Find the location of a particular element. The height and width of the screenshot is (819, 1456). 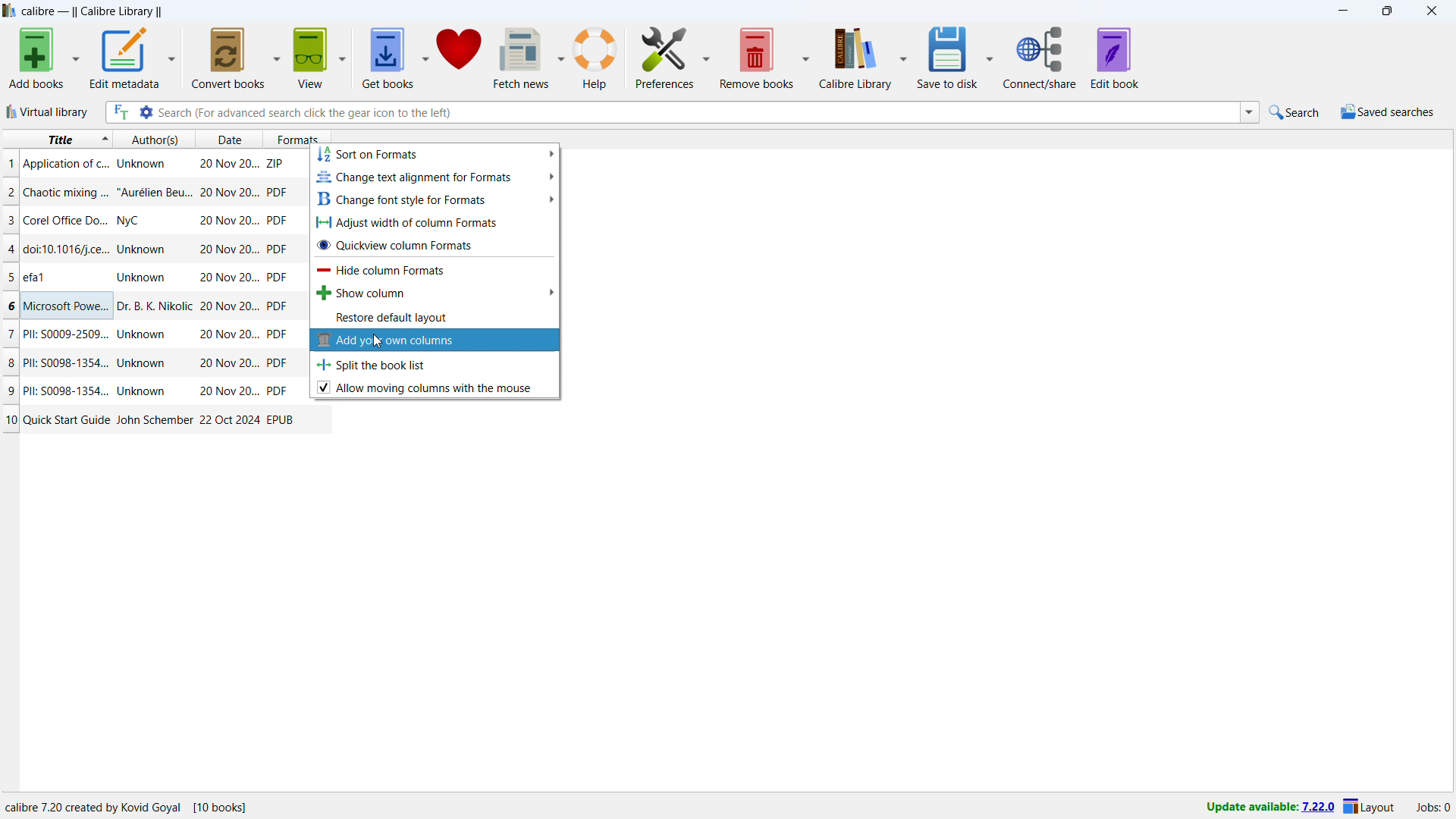

title is located at coordinates (66, 390).